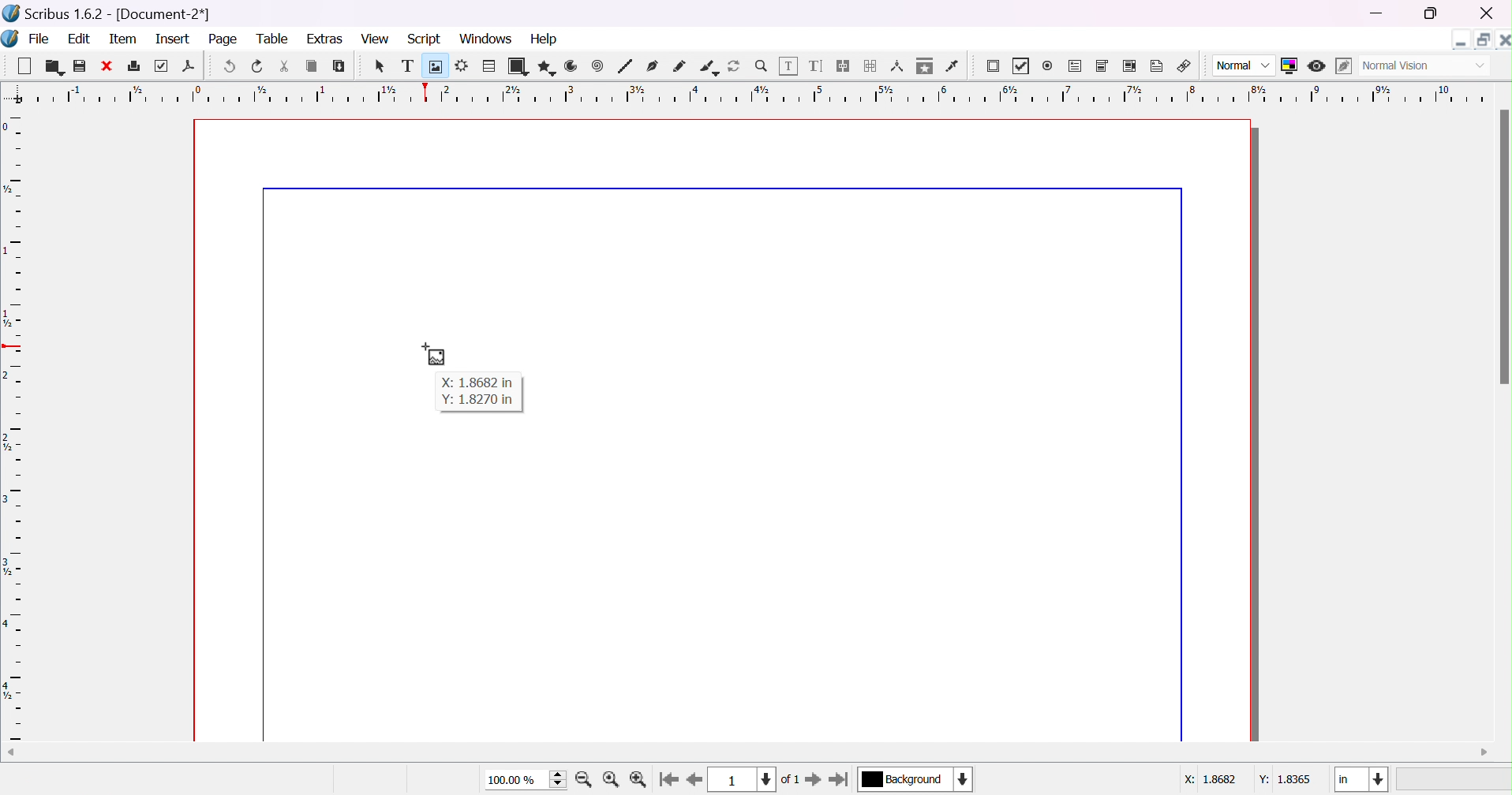 This screenshot has width=1512, height=795. Describe the element at coordinates (226, 40) in the screenshot. I see `page` at that location.